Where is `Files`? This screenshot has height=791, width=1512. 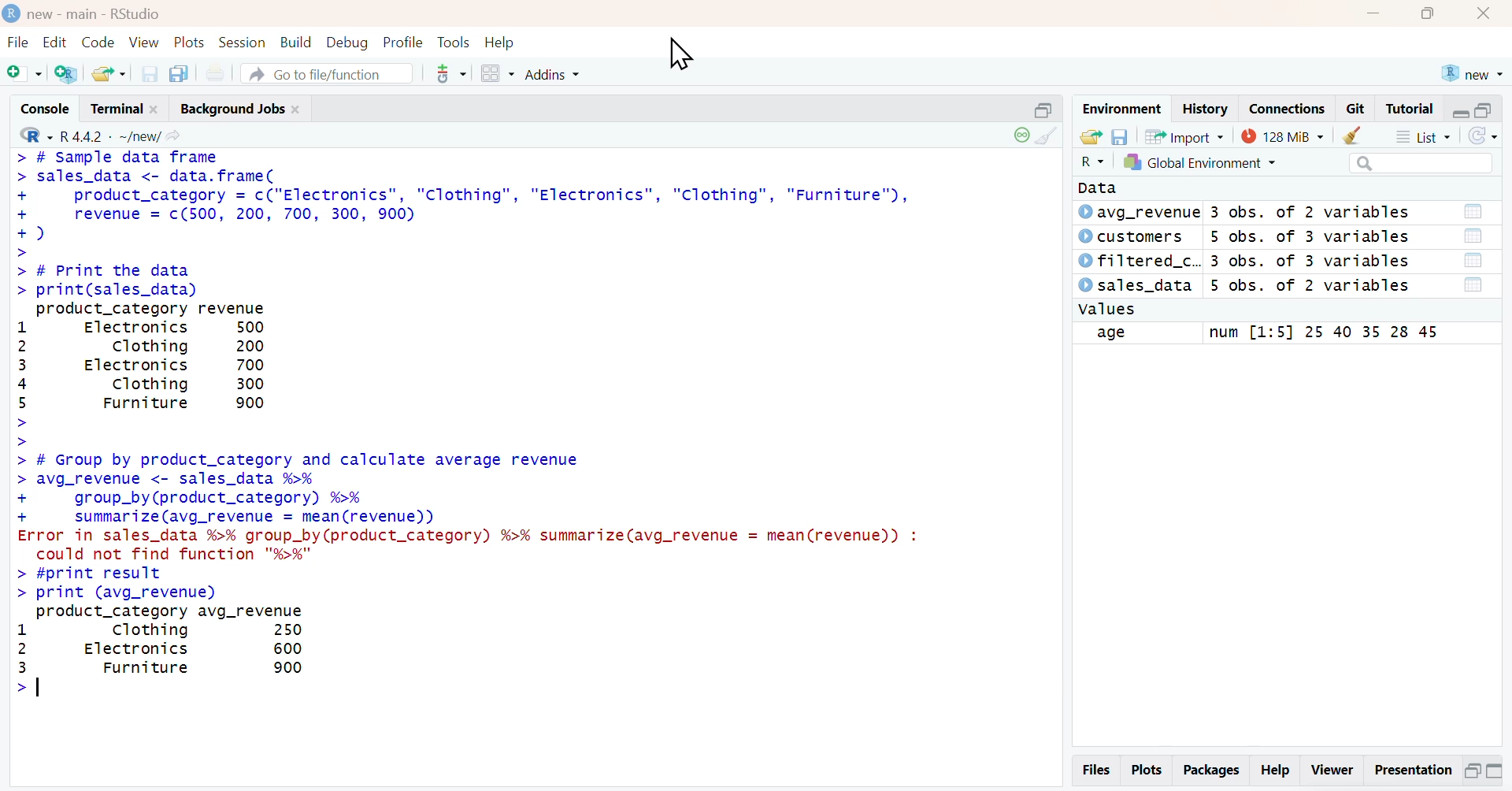
Files is located at coordinates (1097, 770).